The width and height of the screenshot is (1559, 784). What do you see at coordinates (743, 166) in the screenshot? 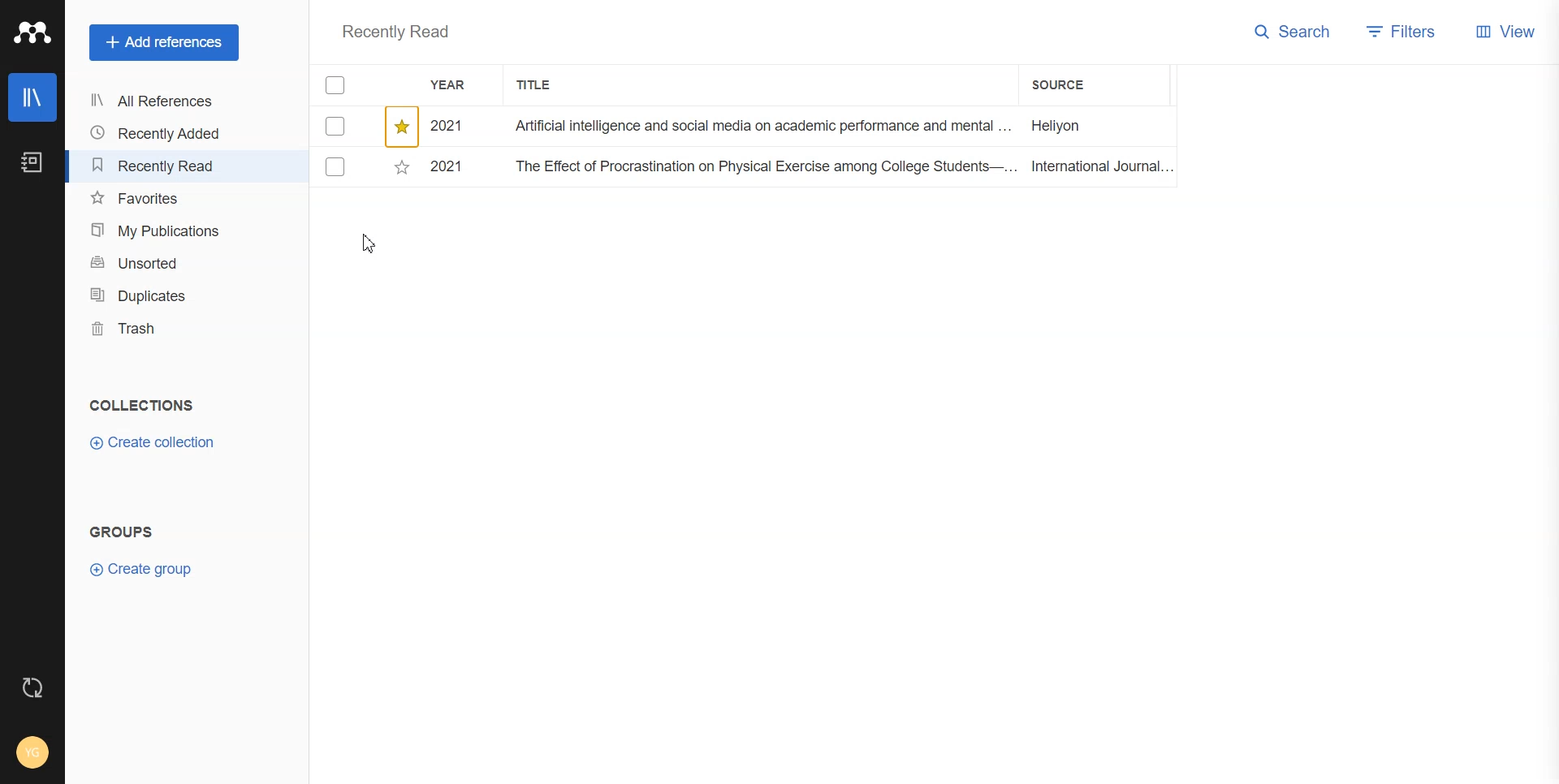
I see `File` at bounding box center [743, 166].